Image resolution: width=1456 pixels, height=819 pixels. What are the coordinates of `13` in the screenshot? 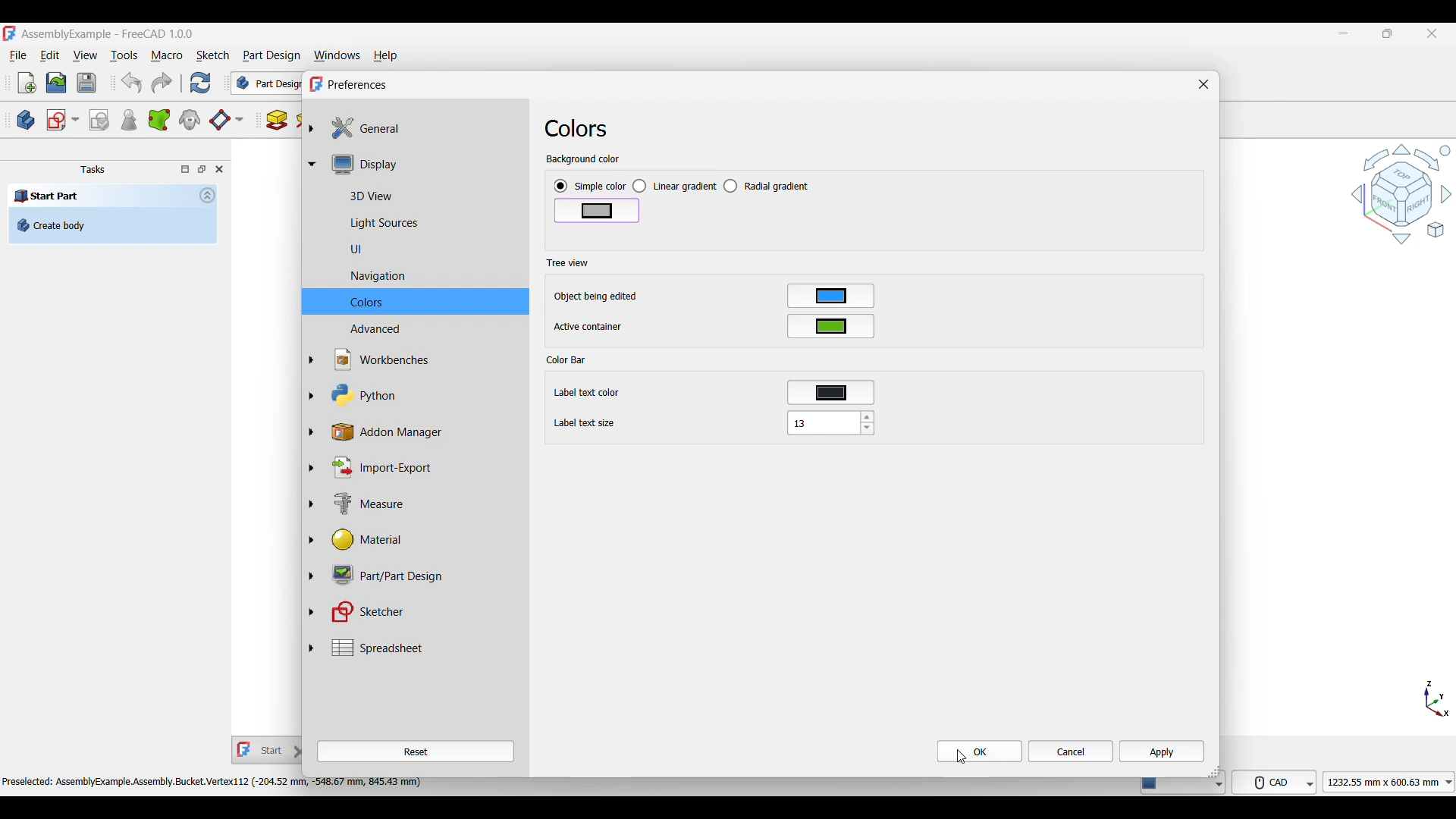 It's located at (830, 422).